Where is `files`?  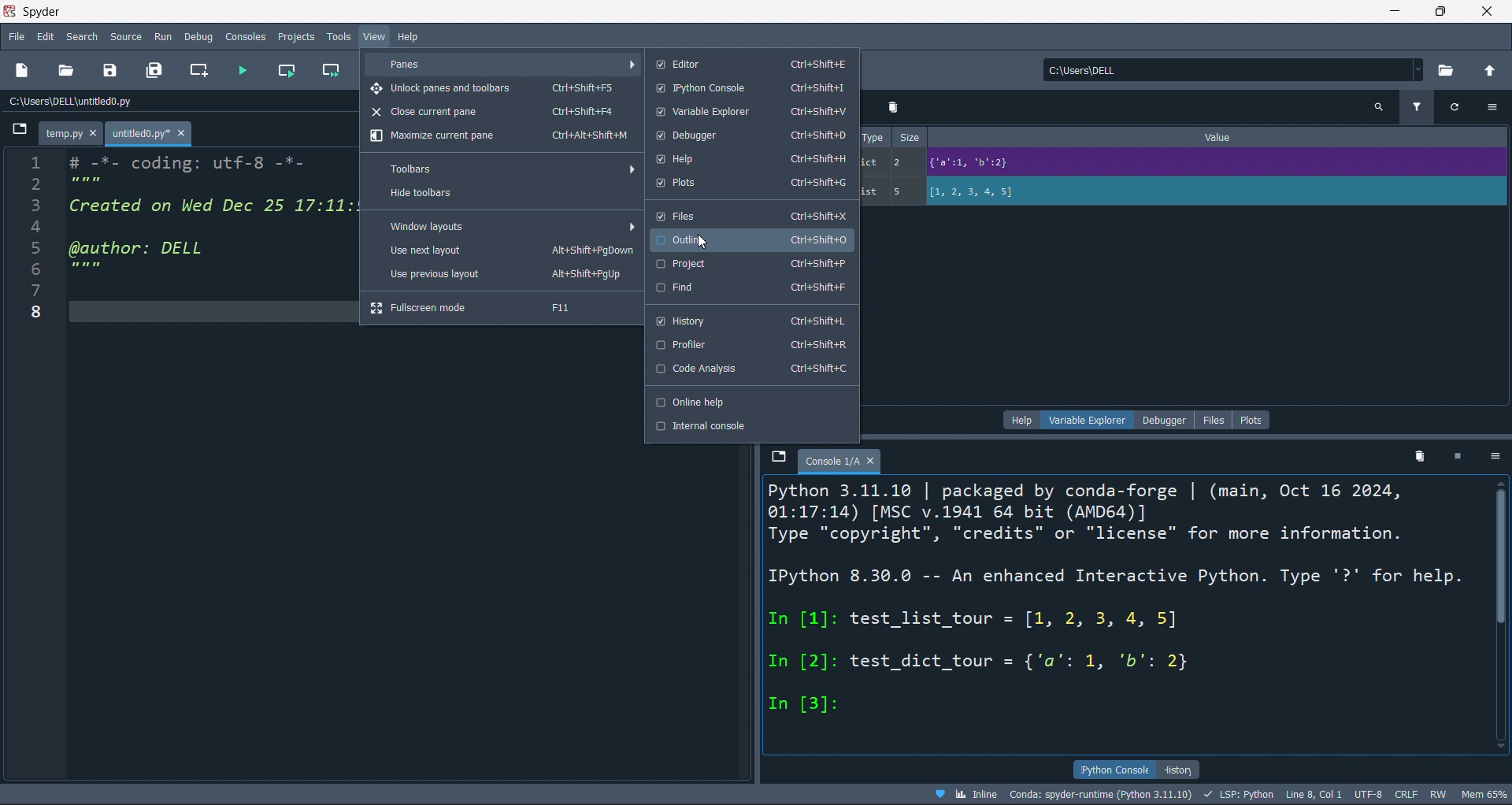
files is located at coordinates (751, 215).